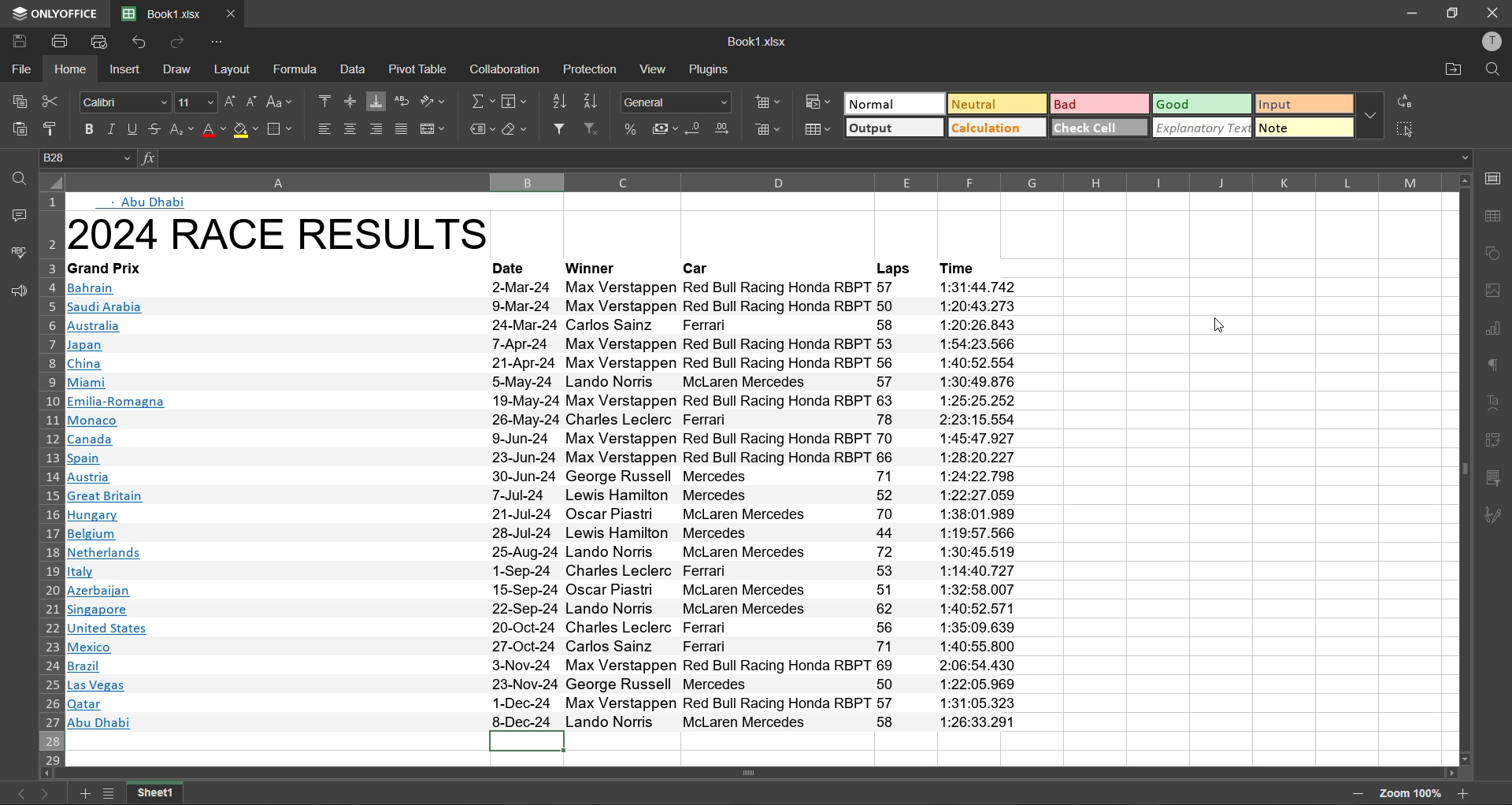 The image size is (1512, 805). What do you see at coordinates (156, 129) in the screenshot?
I see `strikethrough` at bounding box center [156, 129].